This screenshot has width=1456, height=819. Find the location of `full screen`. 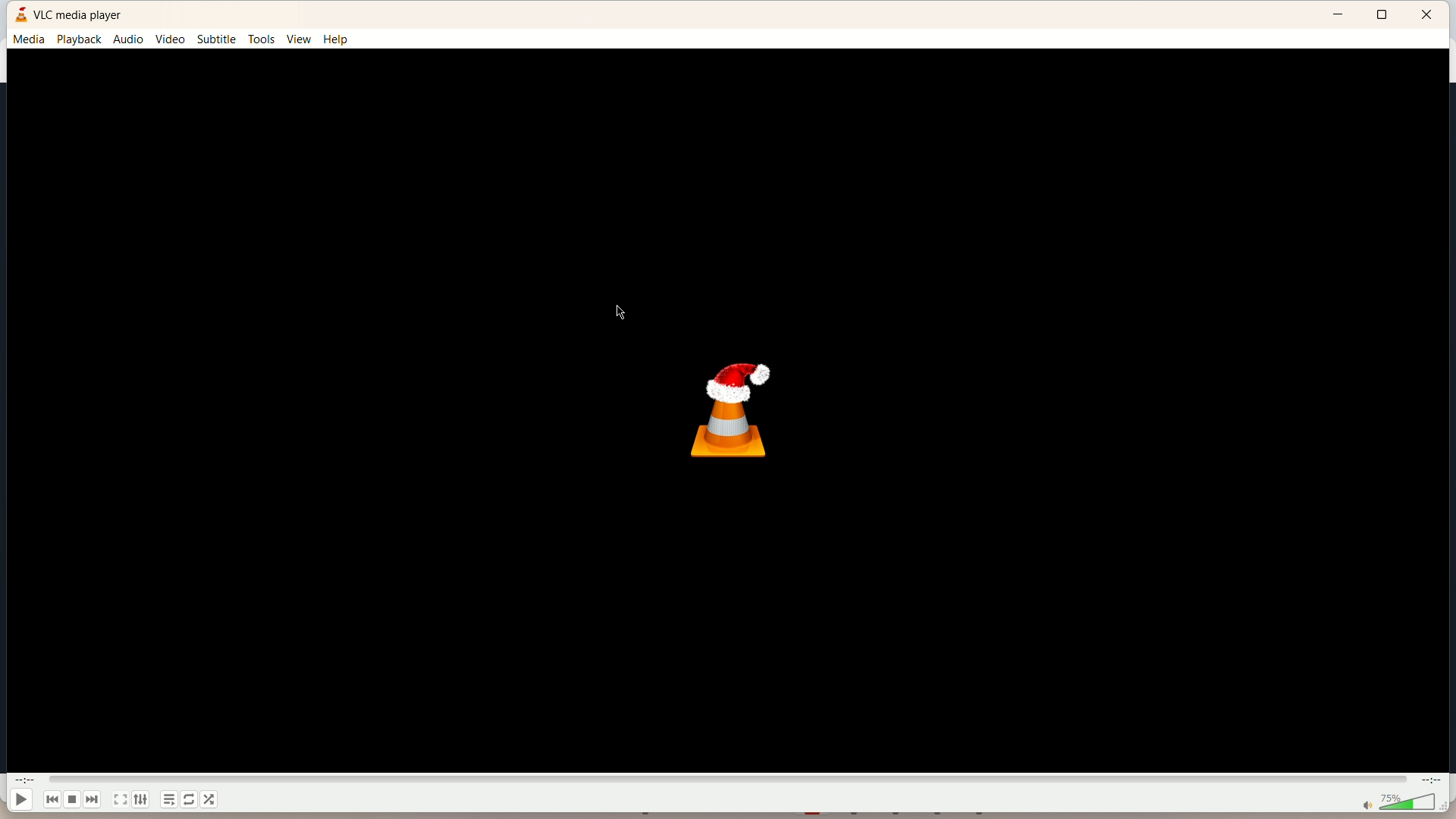

full screen is located at coordinates (117, 800).